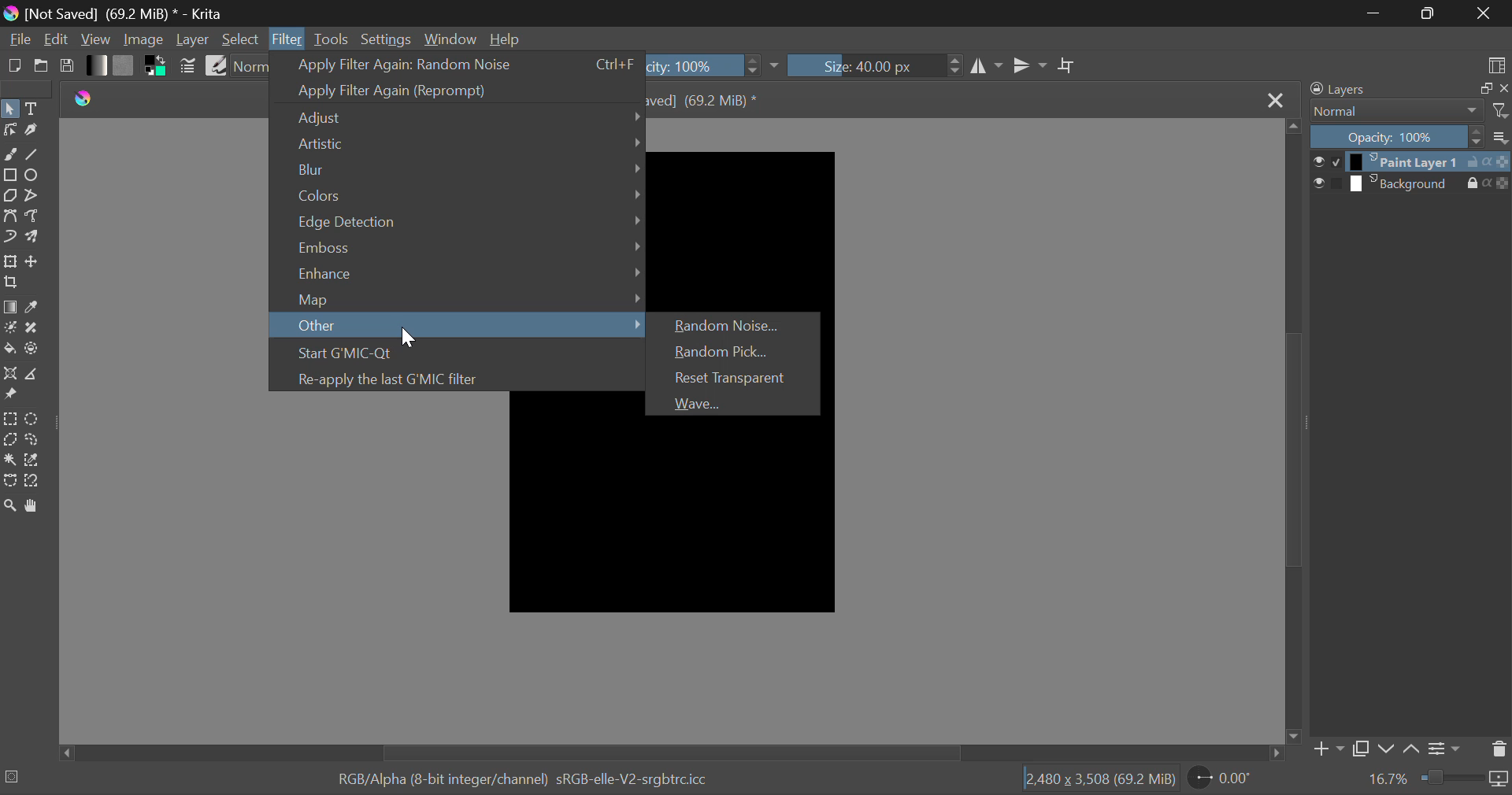 This screenshot has width=1512, height=795. What do you see at coordinates (11, 217) in the screenshot?
I see `Bezier Curve` at bounding box center [11, 217].